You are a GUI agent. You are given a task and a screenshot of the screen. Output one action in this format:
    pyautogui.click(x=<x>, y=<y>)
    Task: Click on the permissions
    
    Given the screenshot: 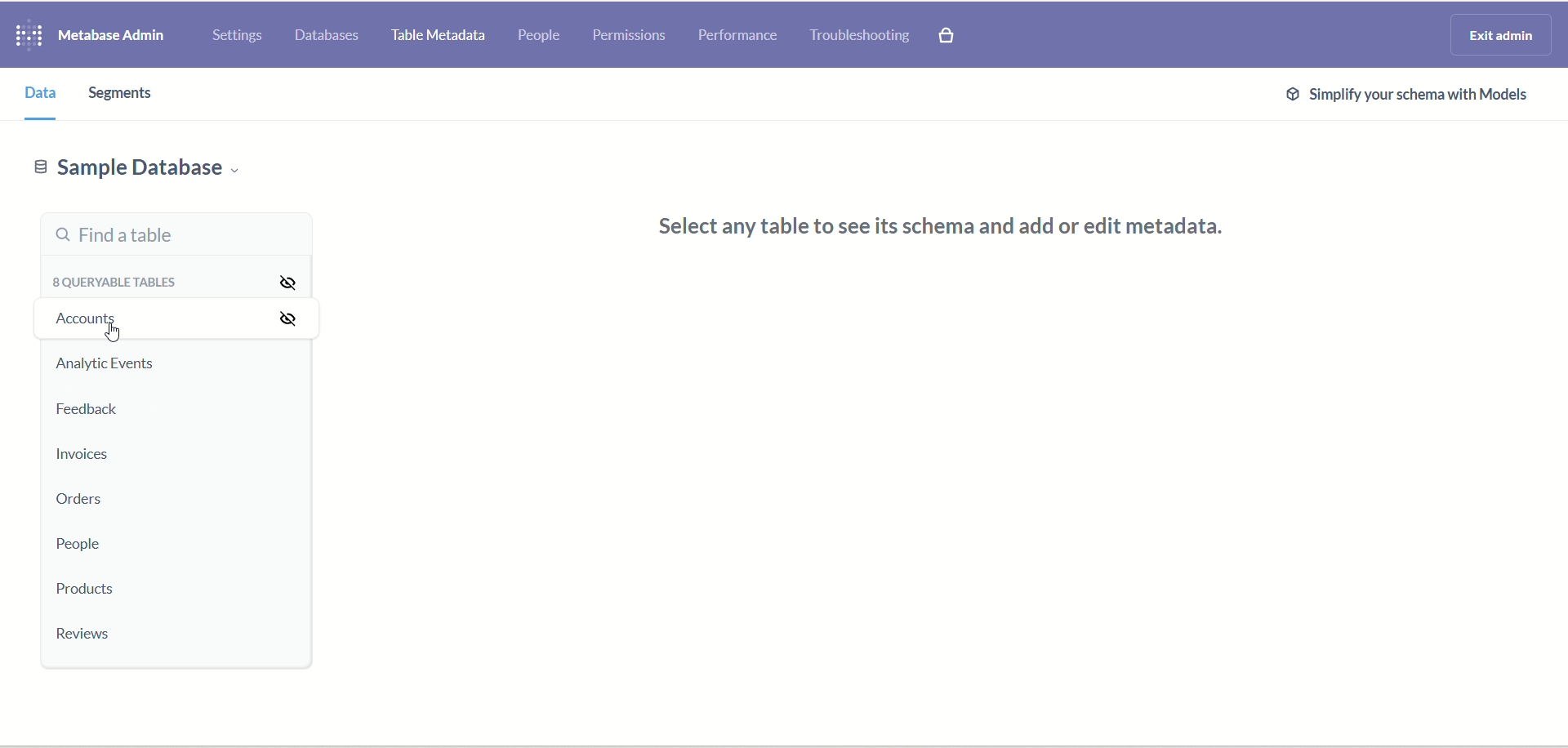 What is the action you would take?
    pyautogui.click(x=630, y=35)
    